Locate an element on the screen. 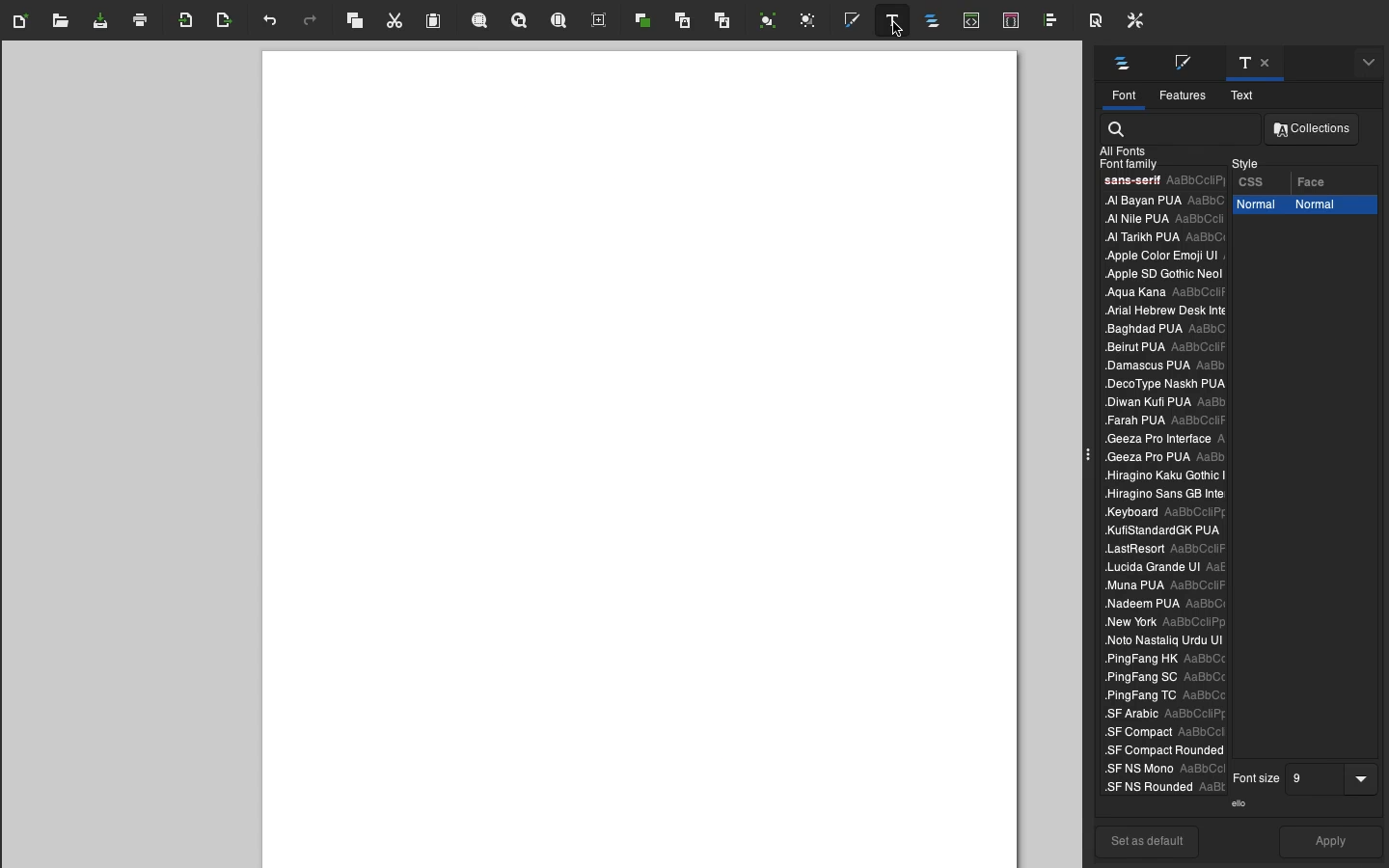 The image size is (1389, 868). Set as default is located at coordinates (1147, 841).